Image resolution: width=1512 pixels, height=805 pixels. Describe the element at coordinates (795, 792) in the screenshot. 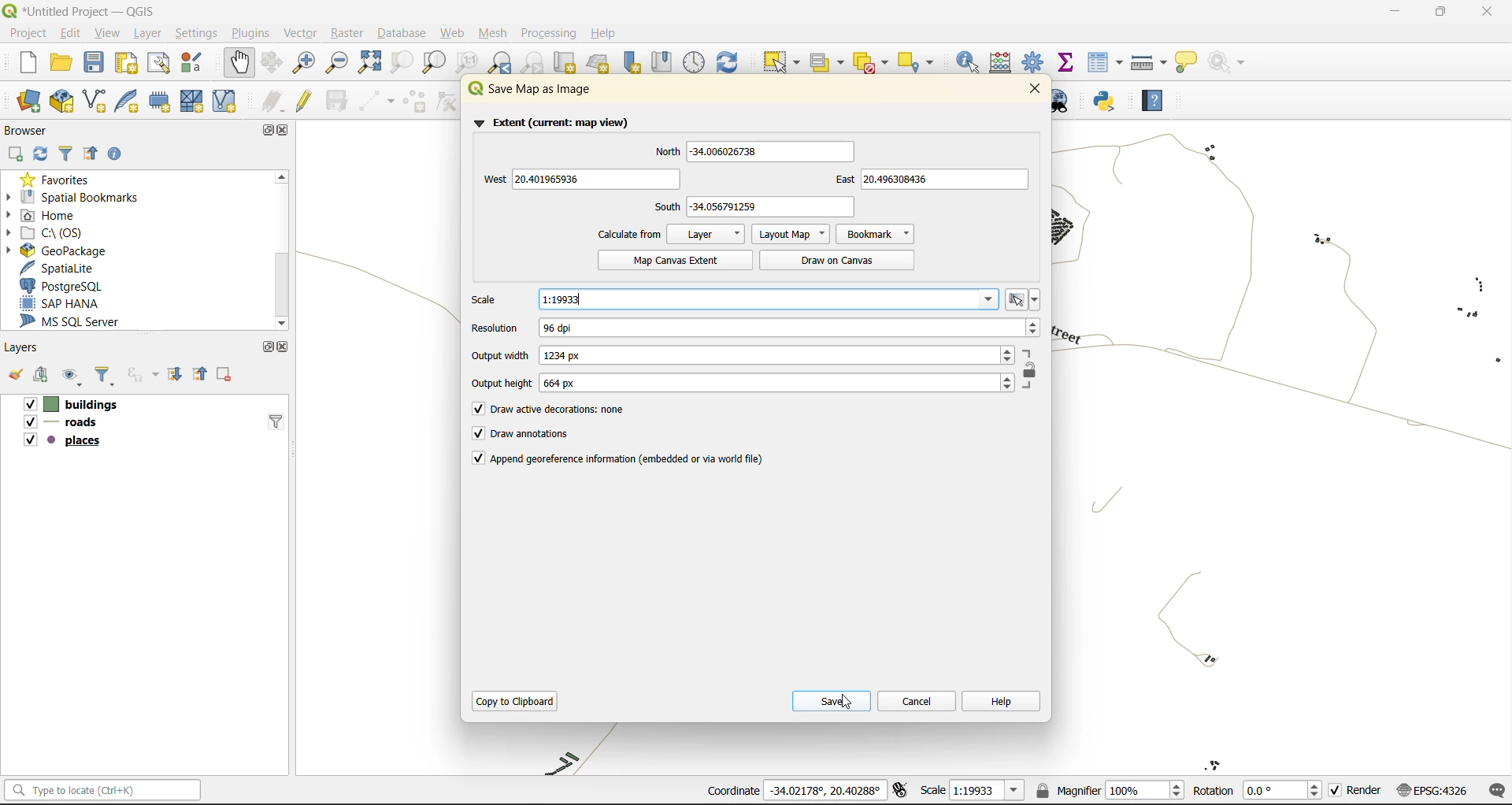

I see `coordinates` at that location.